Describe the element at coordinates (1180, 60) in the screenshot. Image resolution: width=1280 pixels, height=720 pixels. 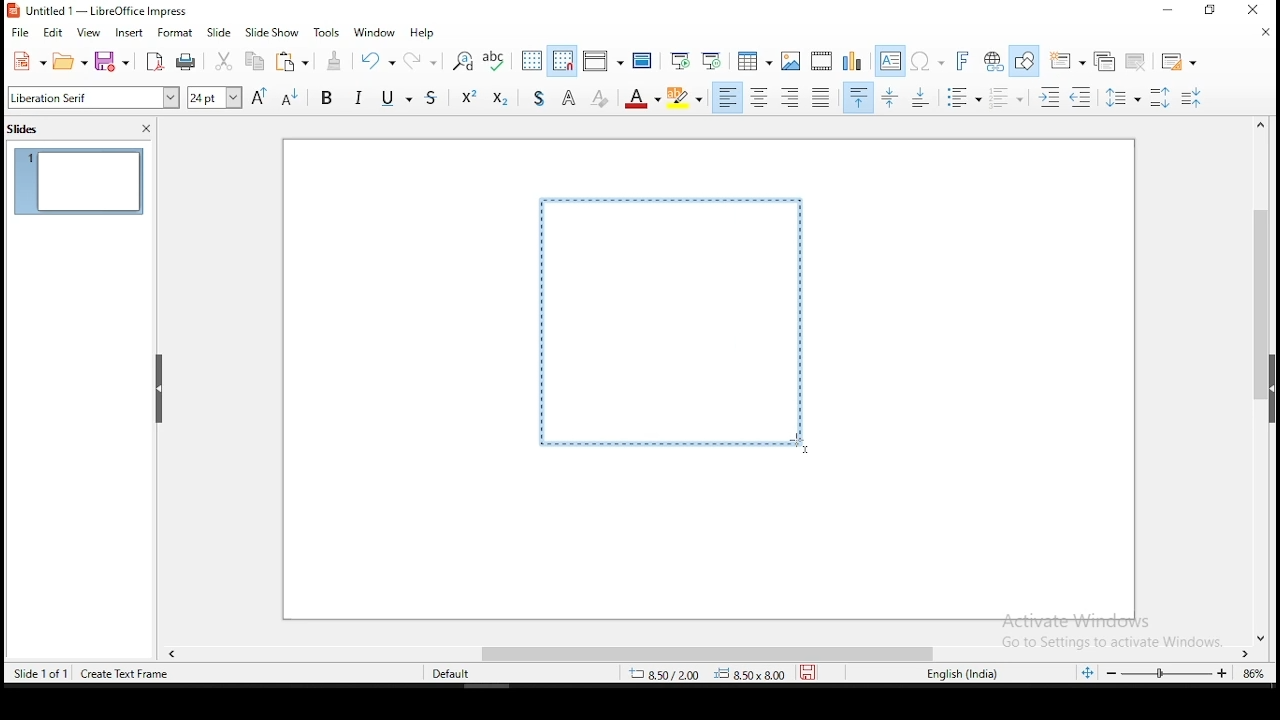
I see ` slide layout` at that location.